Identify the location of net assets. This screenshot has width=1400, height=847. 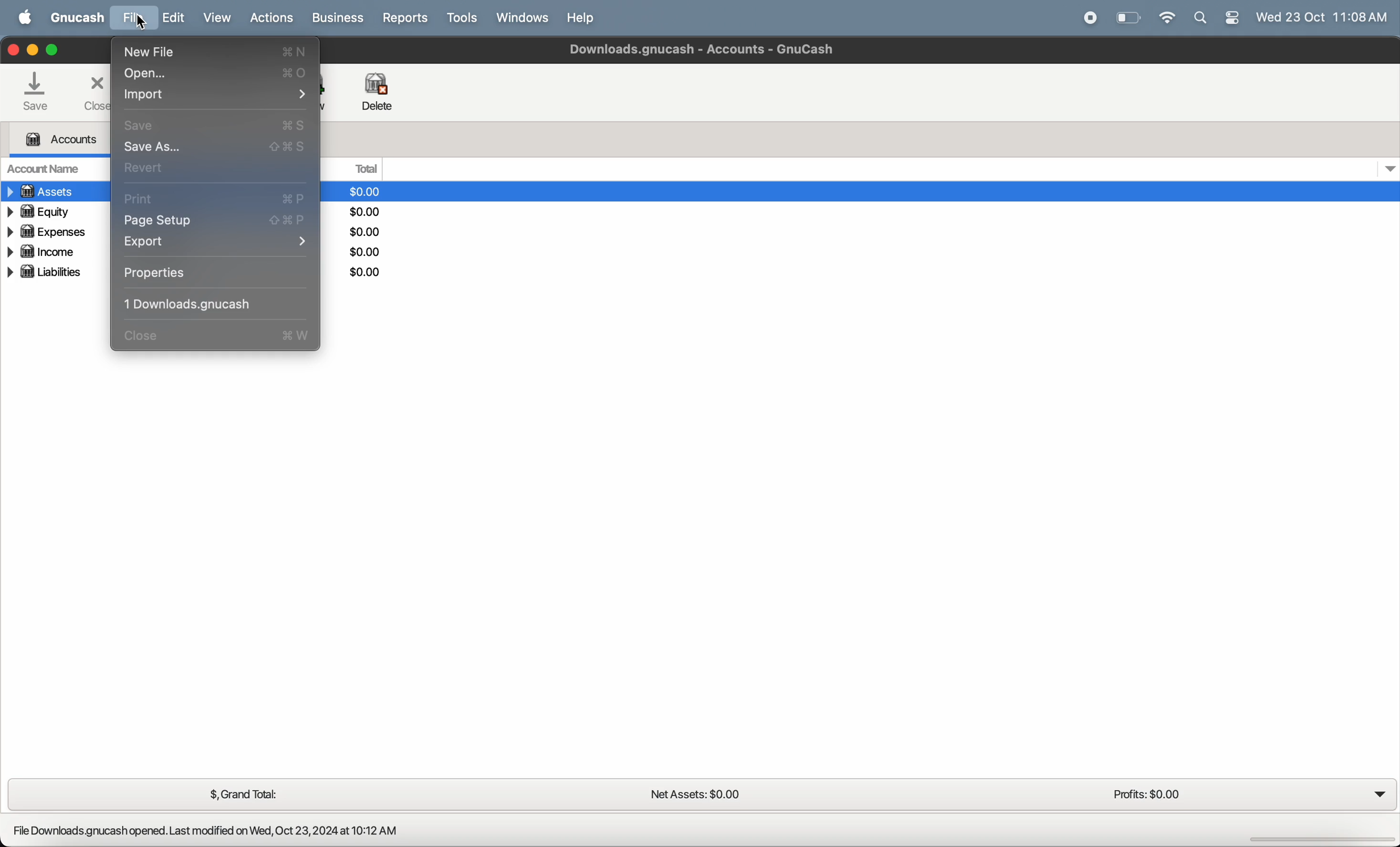
(698, 798).